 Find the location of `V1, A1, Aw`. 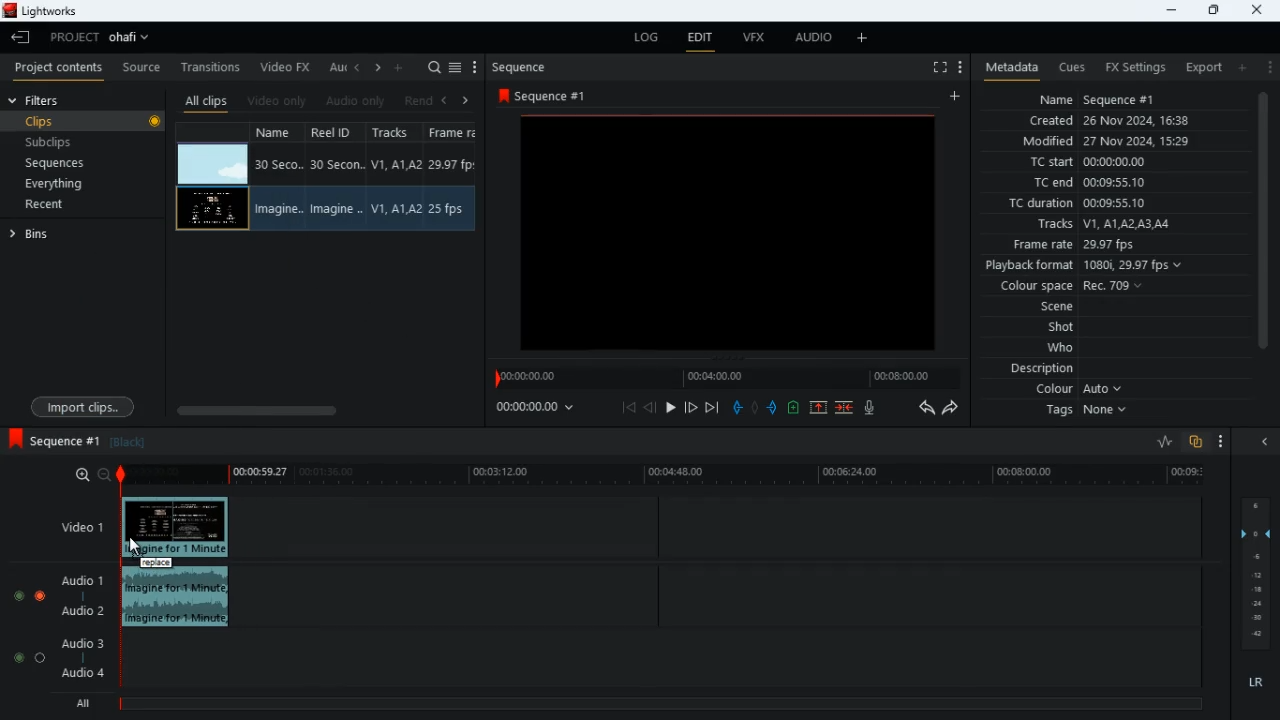

V1, A1, Aw is located at coordinates (395, 210).